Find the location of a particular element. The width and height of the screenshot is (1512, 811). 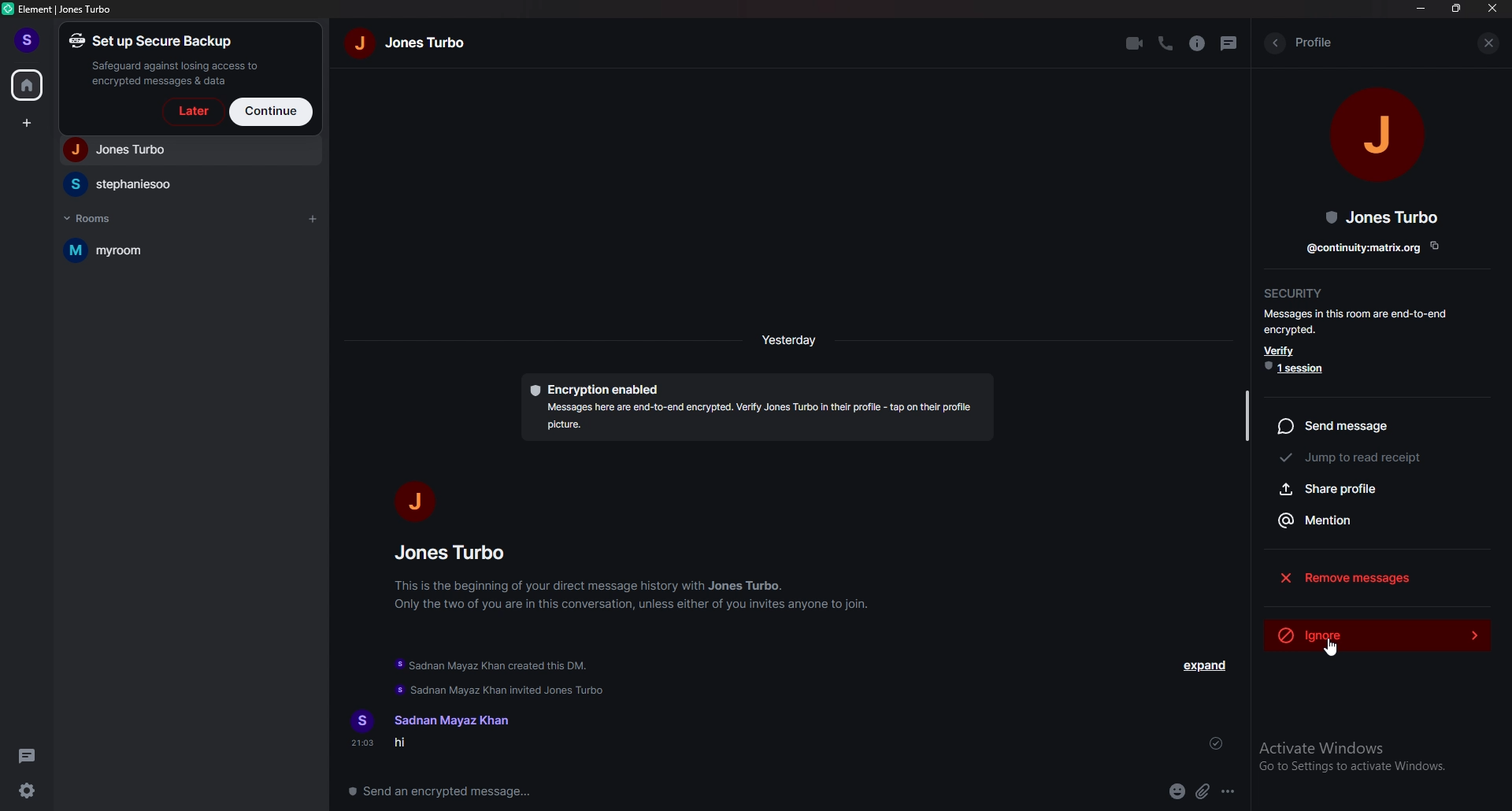

people photo is located at coordinates (412, 501).